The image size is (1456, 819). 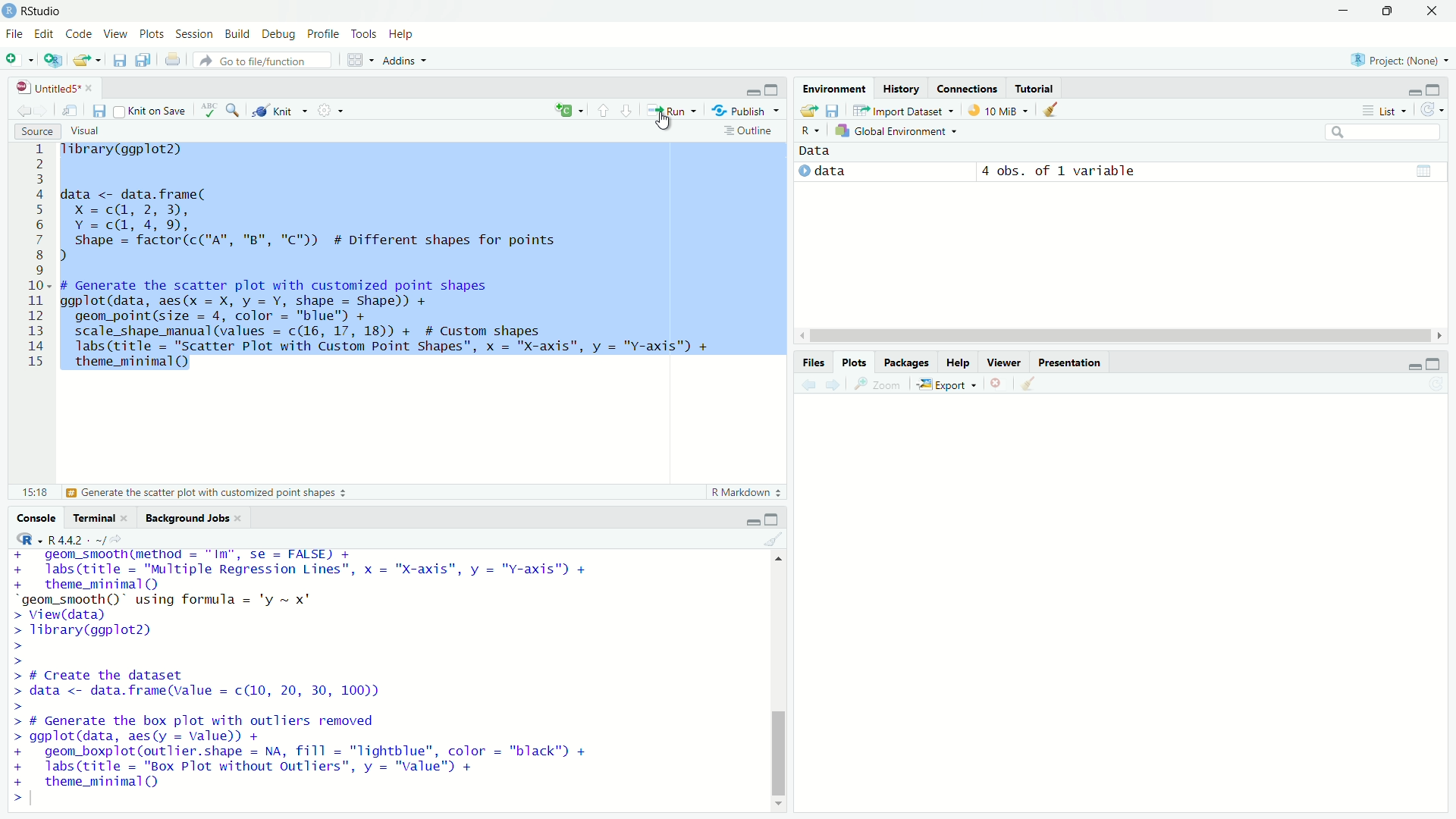 What do you see at coordinates (808, 383) in the screenshot?
I see `Previous plot` at bounding box center [808, 383].